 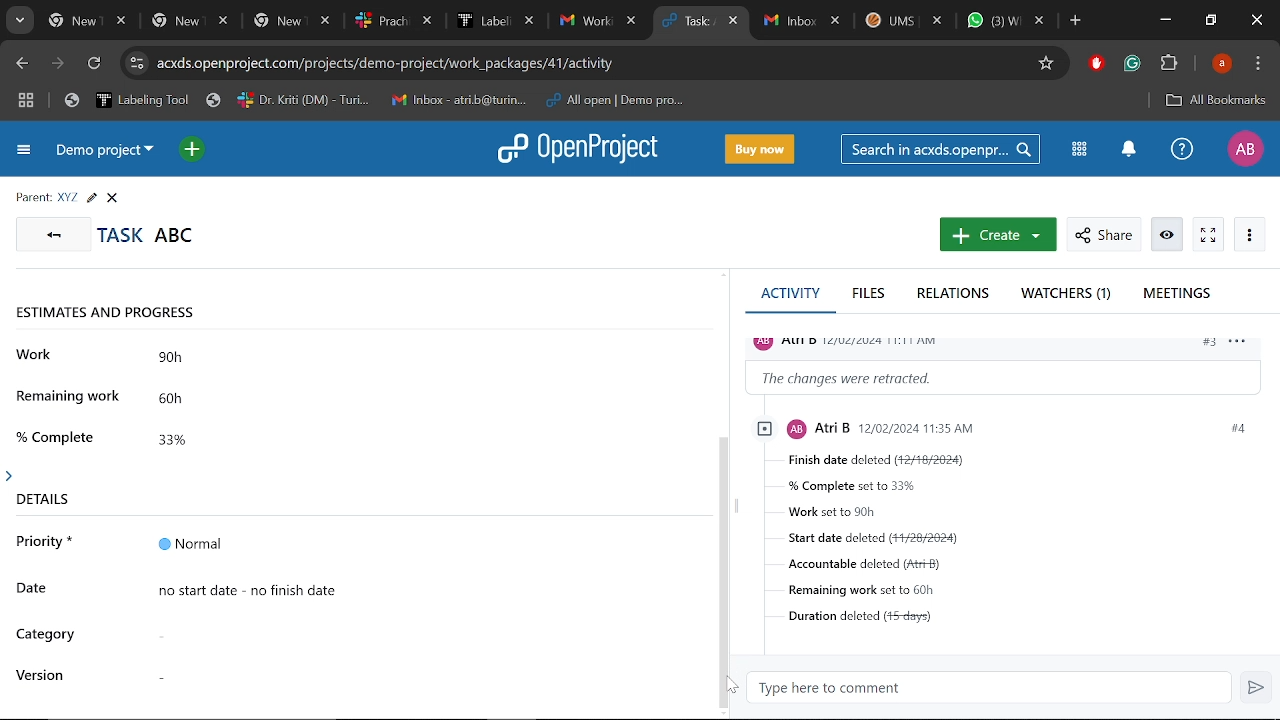 I want to click on Buy now, so click(x=762, y=150).